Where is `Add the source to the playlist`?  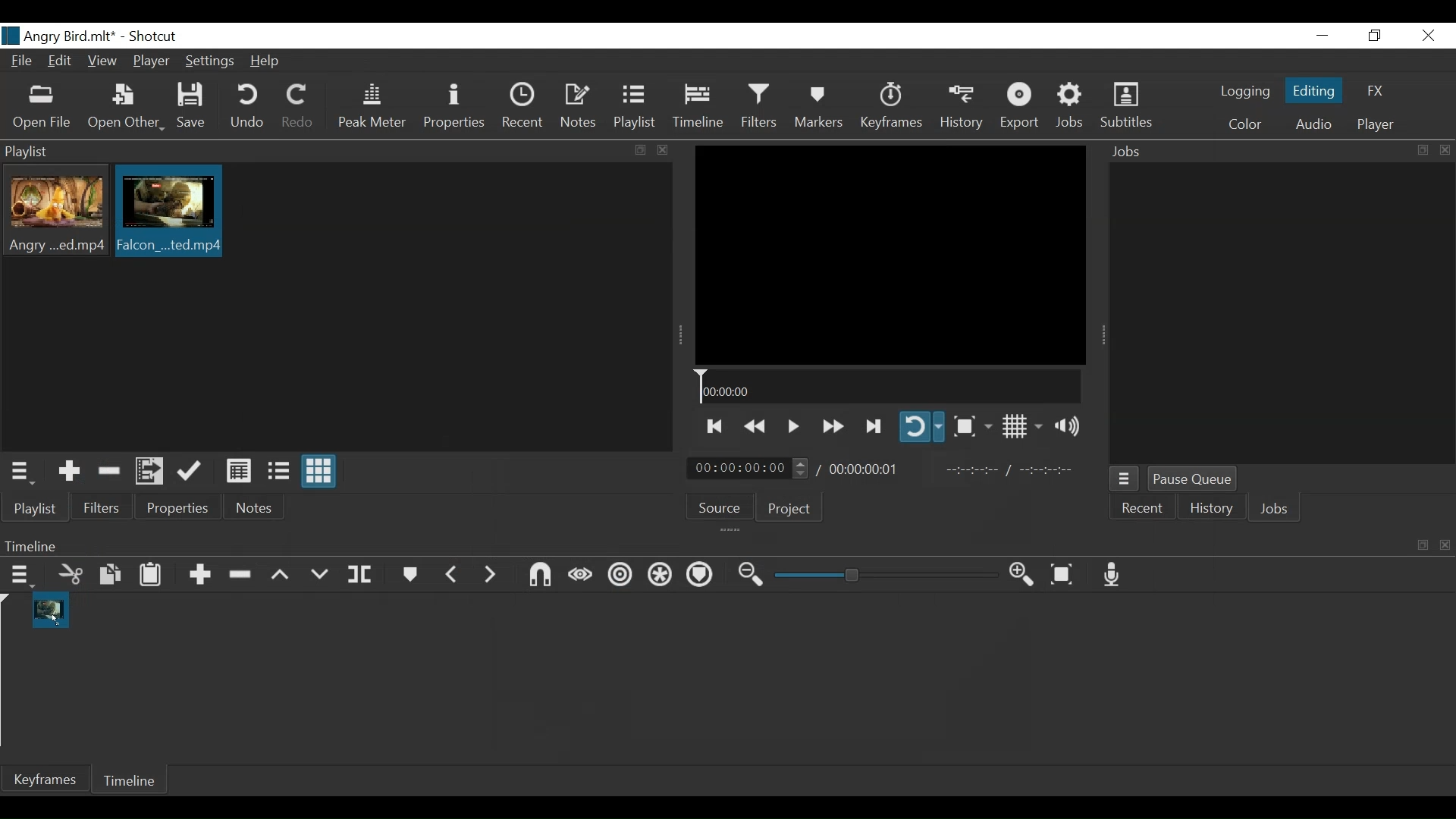 Add the source to the playlist is located at coordinates (71, 472).